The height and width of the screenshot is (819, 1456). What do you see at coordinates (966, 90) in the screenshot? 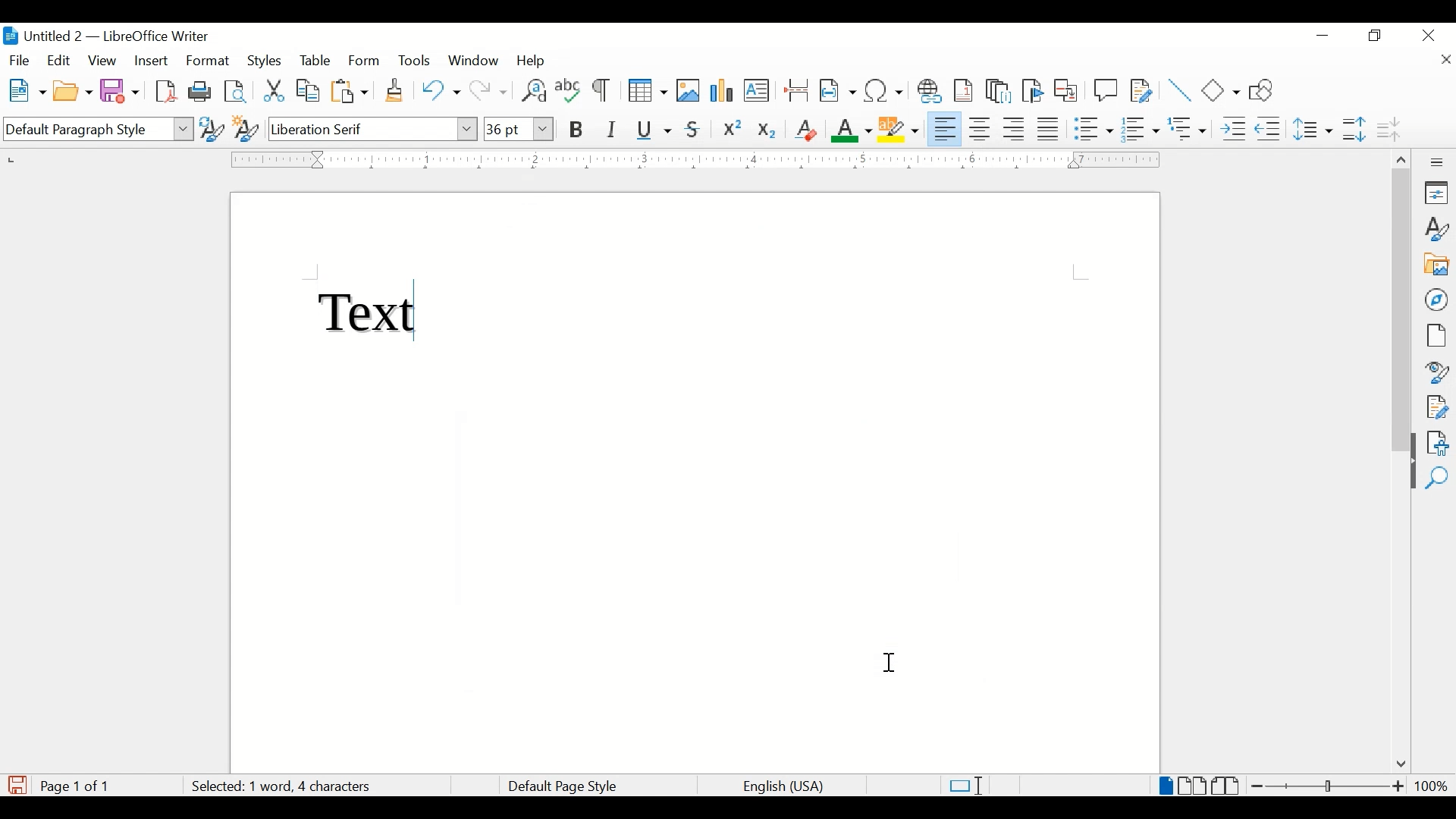
I see `insert footnote` at bounding box center [966, 90].